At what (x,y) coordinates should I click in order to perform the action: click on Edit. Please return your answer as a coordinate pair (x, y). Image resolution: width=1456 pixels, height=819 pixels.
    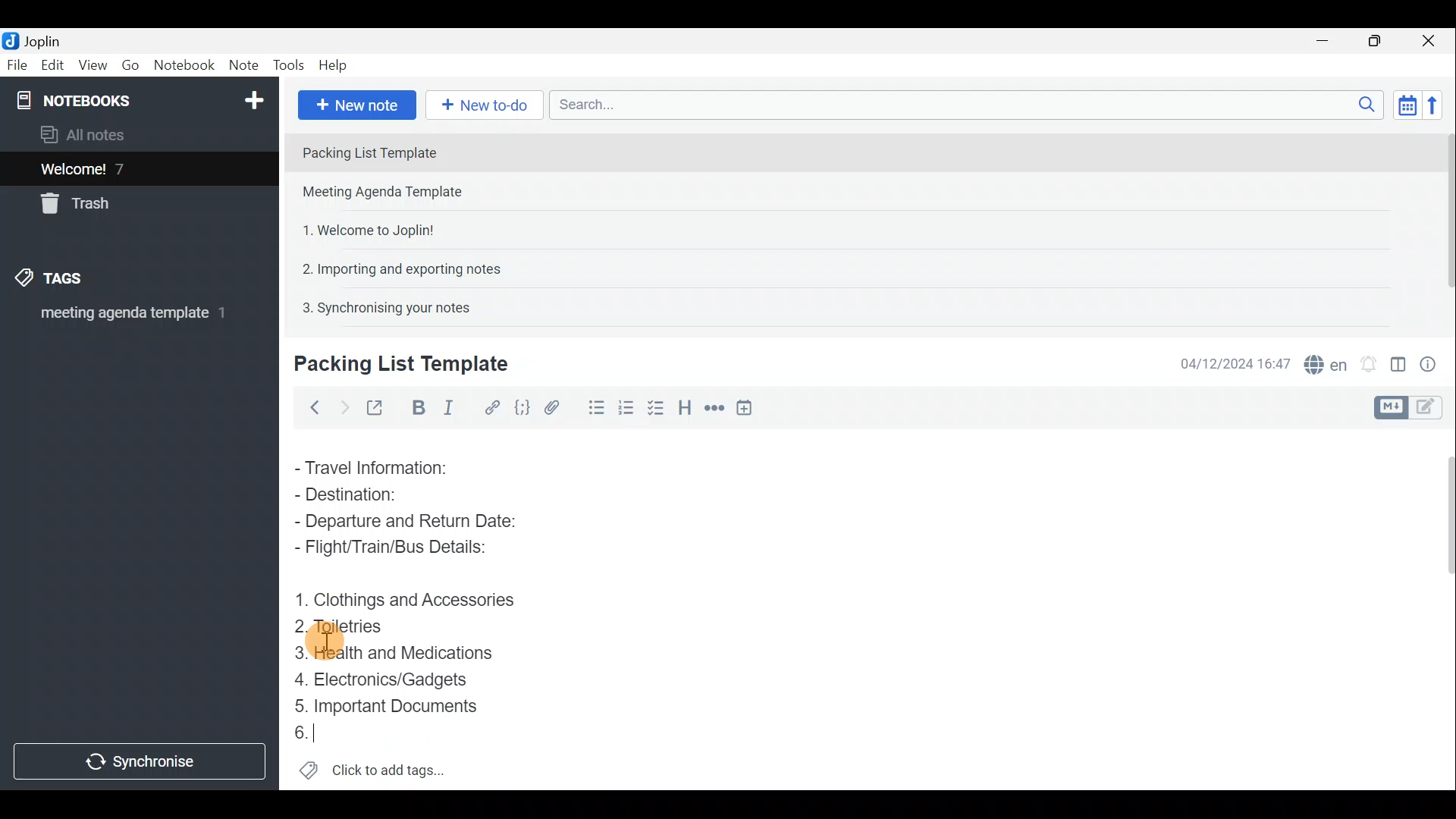
    Looking at the image, I should click on (49, 66).